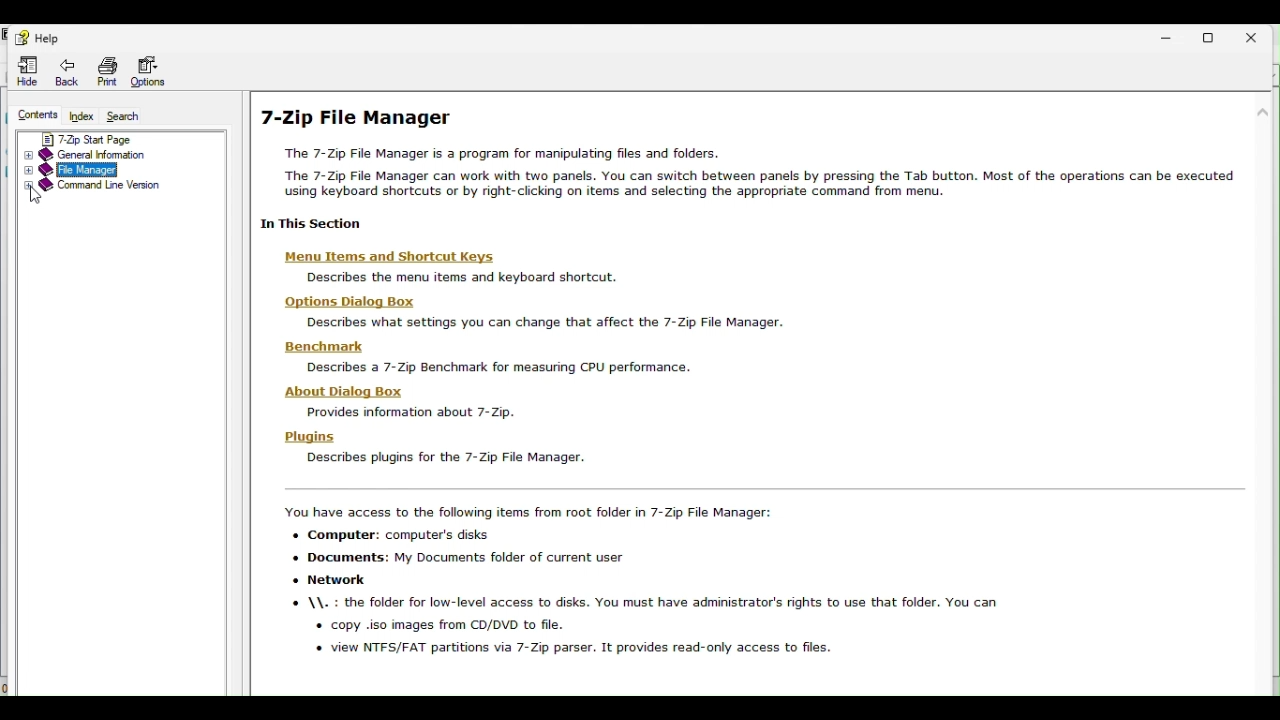  I want to click on Back, so click(72, 76).